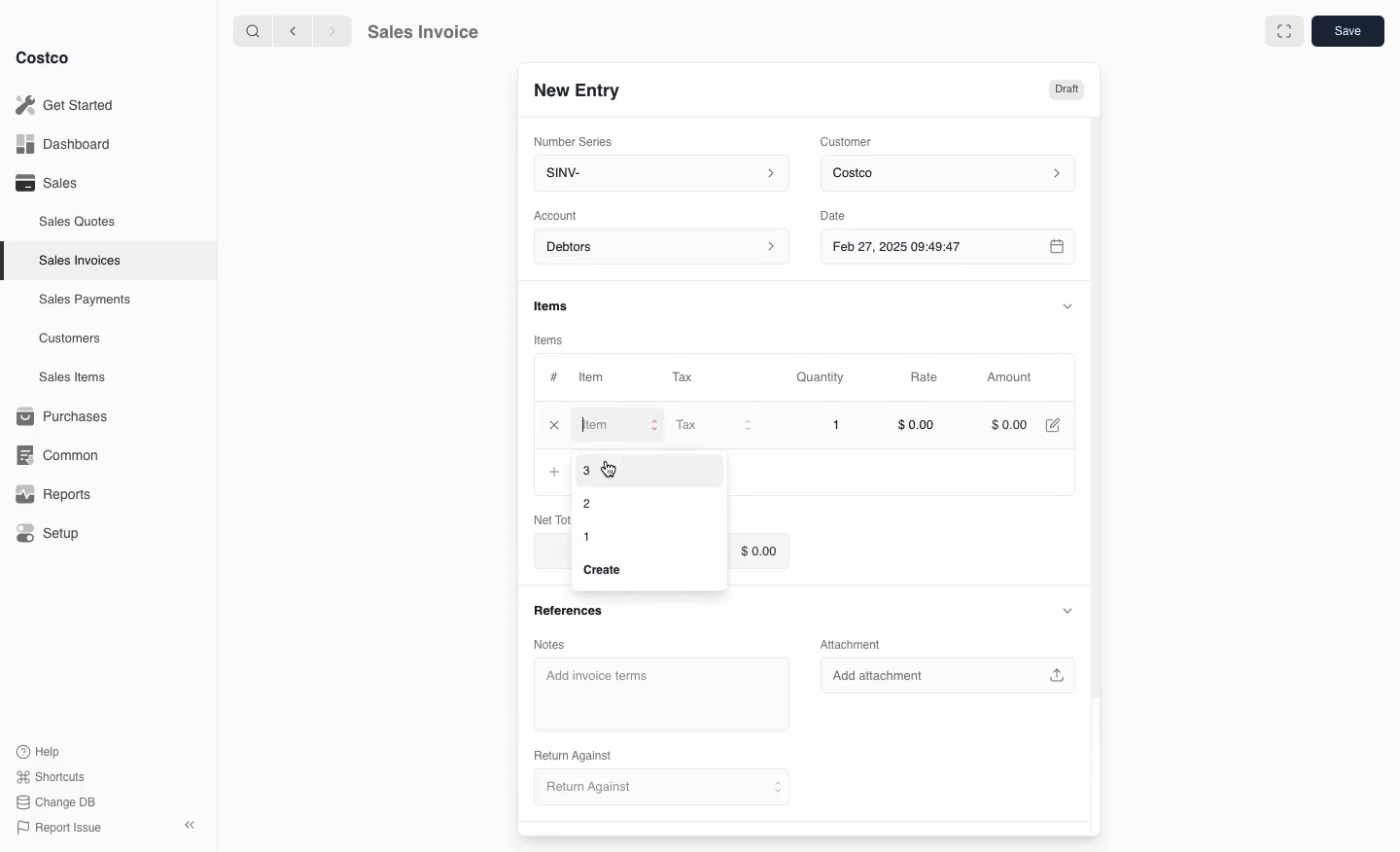  I want to click on Shortcuts, so click(50, 775).